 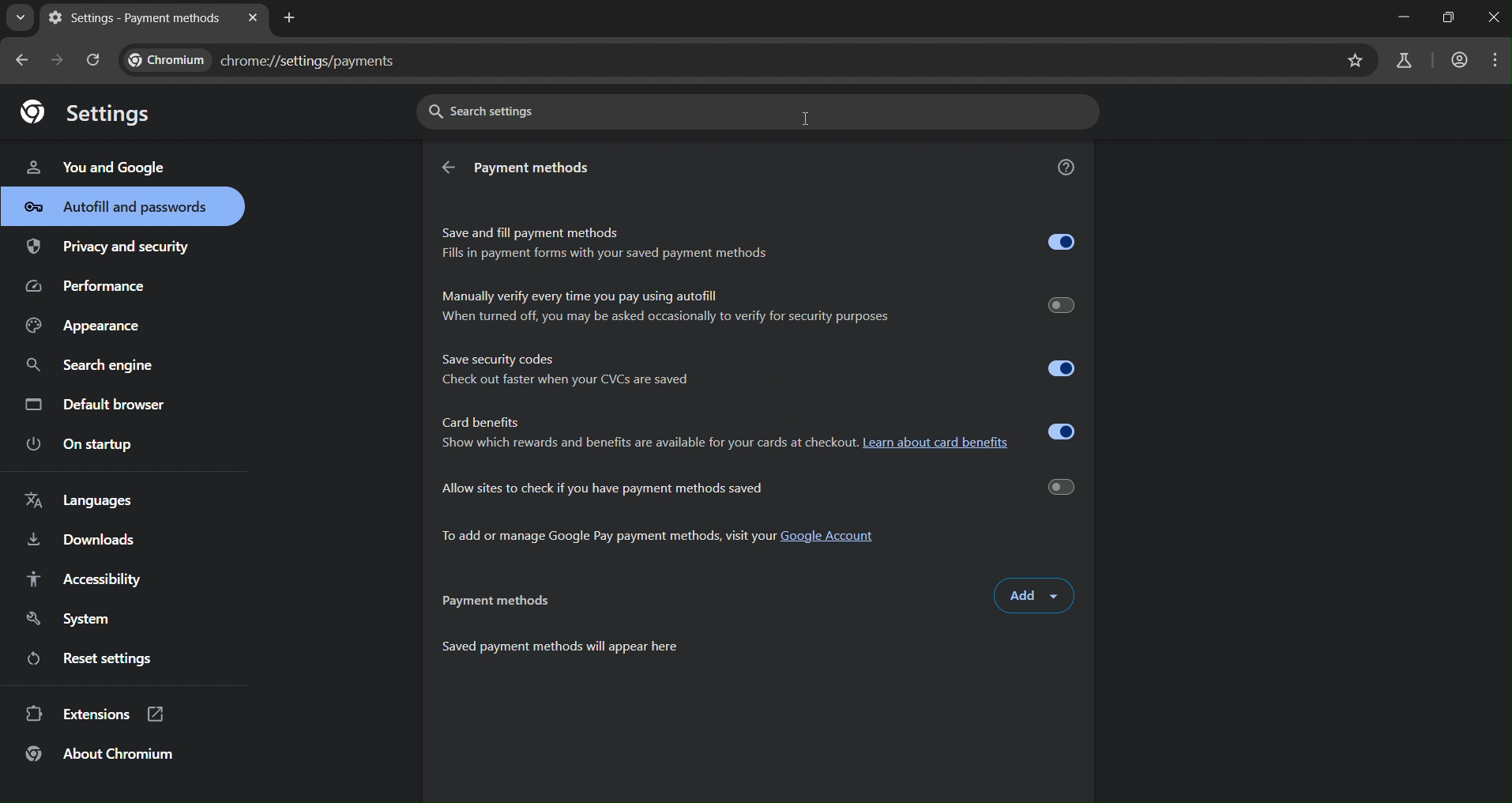 I want to click on default browser, so click(x=92, y=403).